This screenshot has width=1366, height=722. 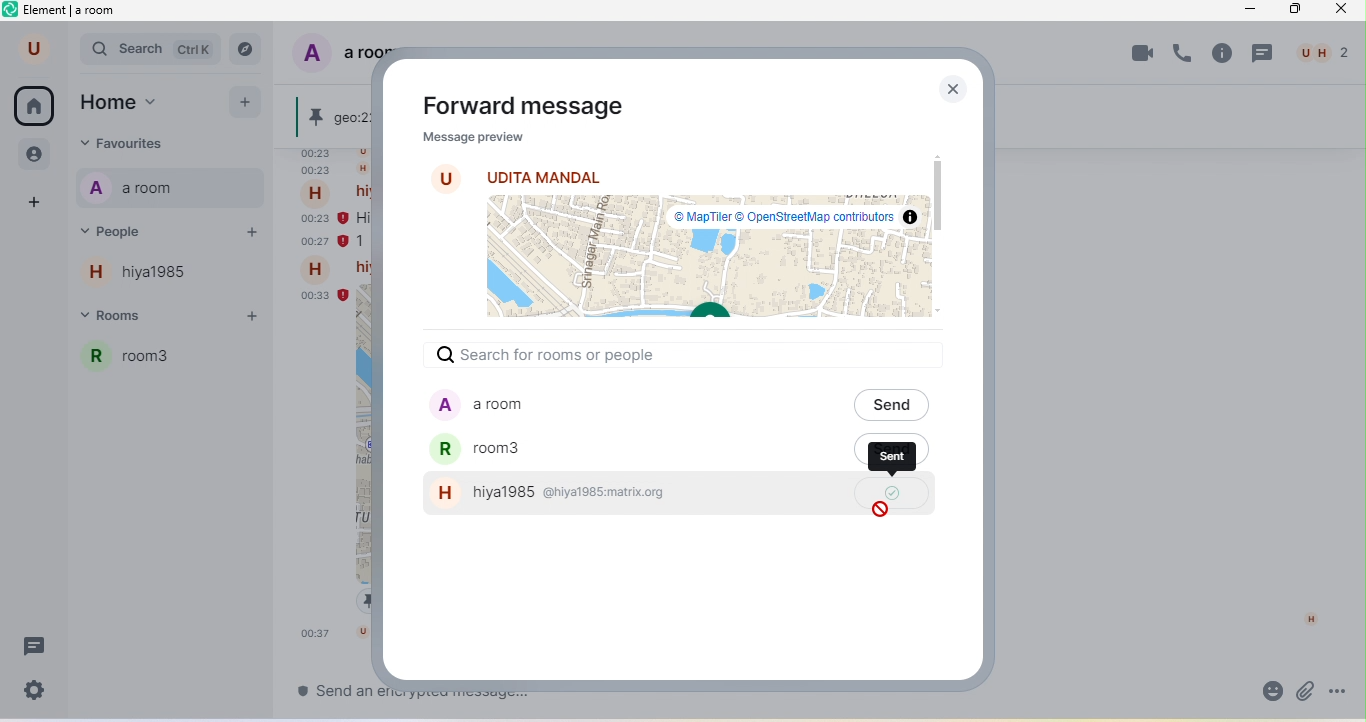 I want to click on forward message, so click(x=522, y=106).